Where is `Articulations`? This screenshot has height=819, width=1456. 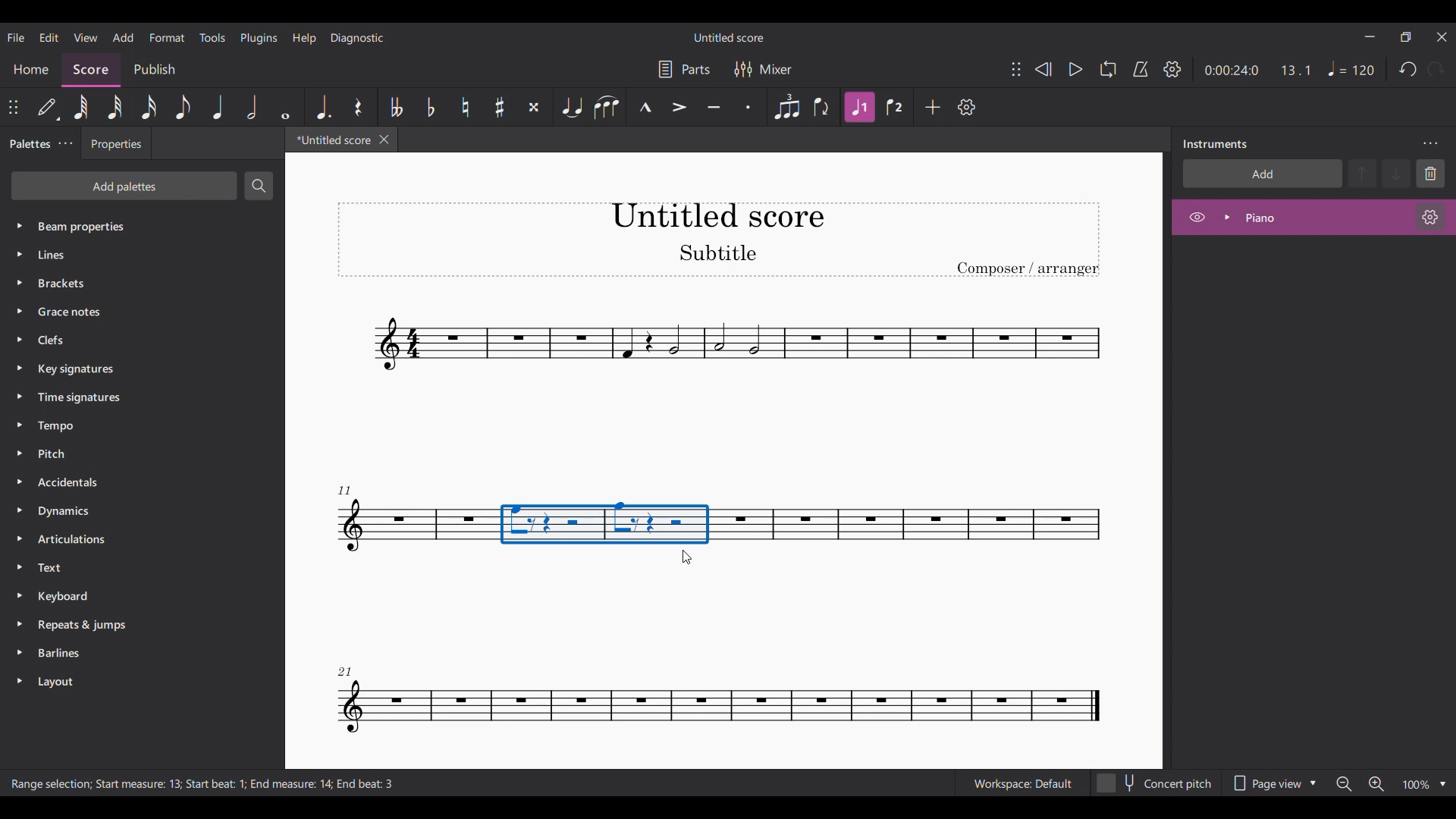
Articulations is located at coordinates (127, 539).